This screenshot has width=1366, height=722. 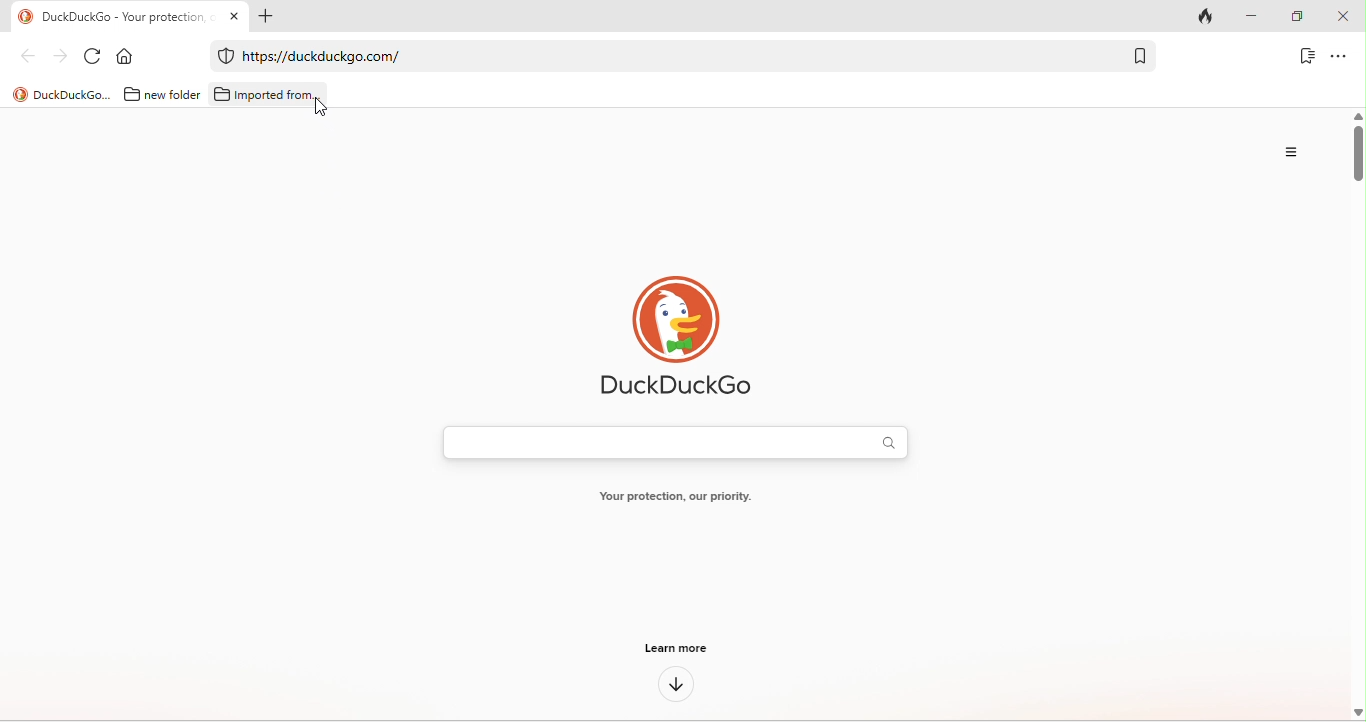 I want to click on bookmark, so click(x=1138, y=54).